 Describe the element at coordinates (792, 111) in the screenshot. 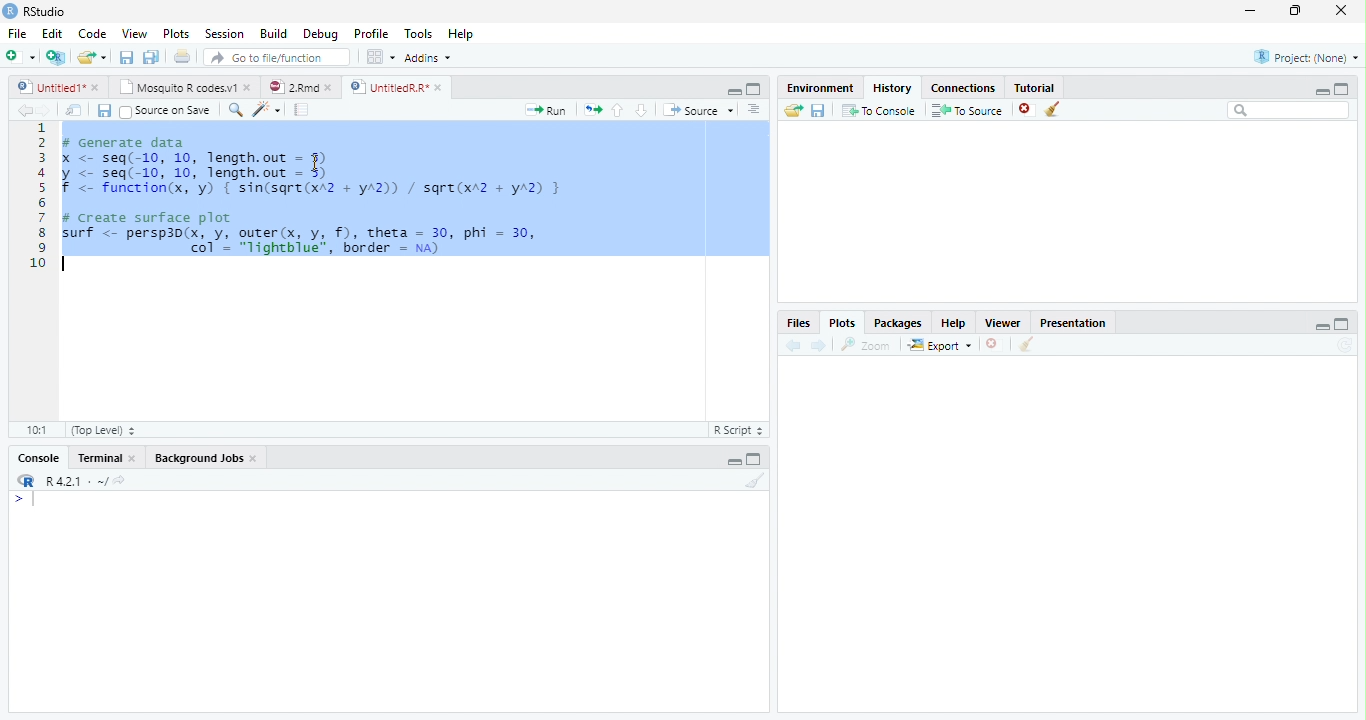

I see `Load history from an existing file` at that location.